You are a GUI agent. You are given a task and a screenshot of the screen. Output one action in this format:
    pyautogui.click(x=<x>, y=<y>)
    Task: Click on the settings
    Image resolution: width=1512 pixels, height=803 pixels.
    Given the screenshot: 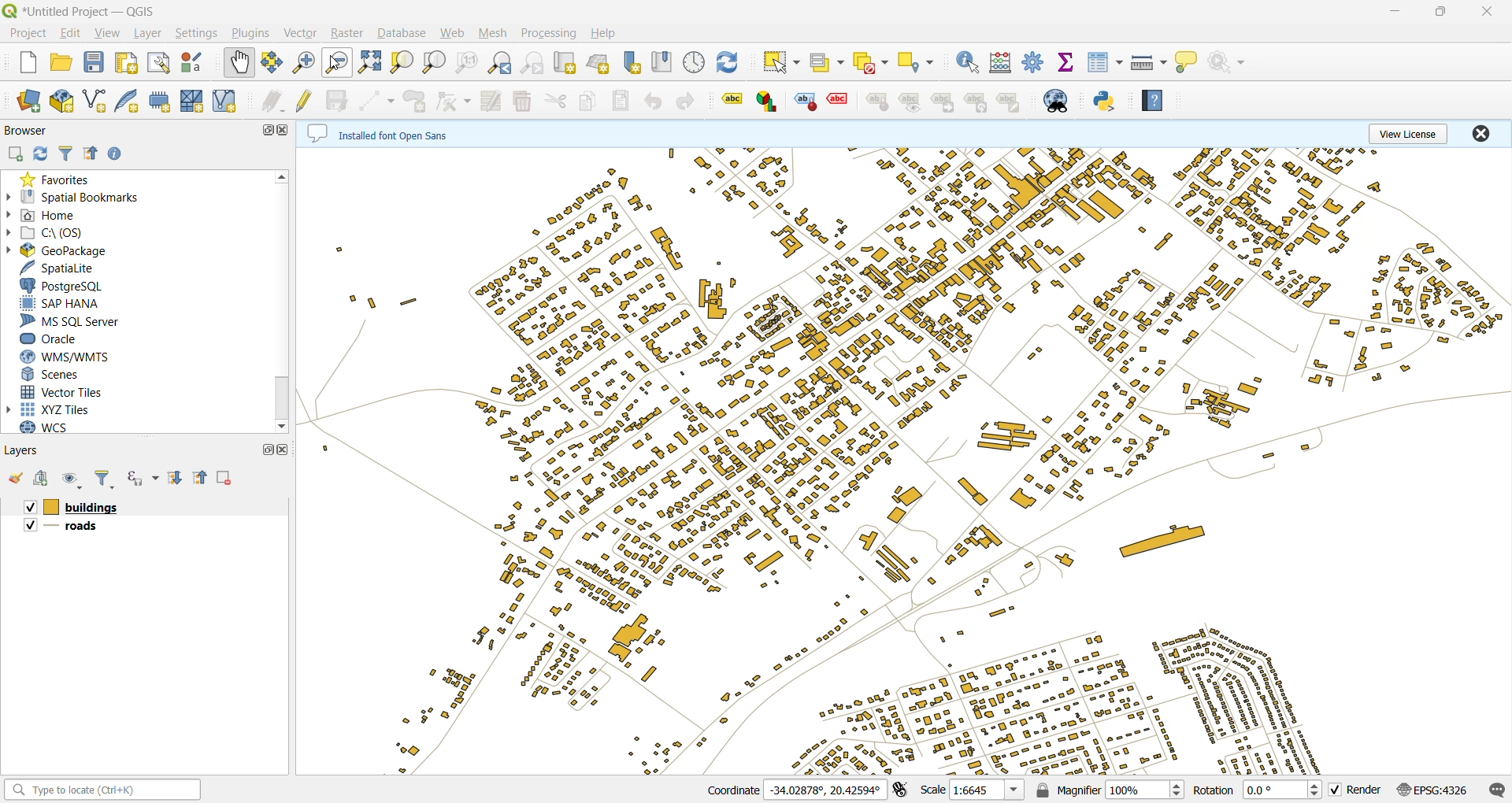 What is the action you would take?
    pyautogui.click(x=199, y=35)
    